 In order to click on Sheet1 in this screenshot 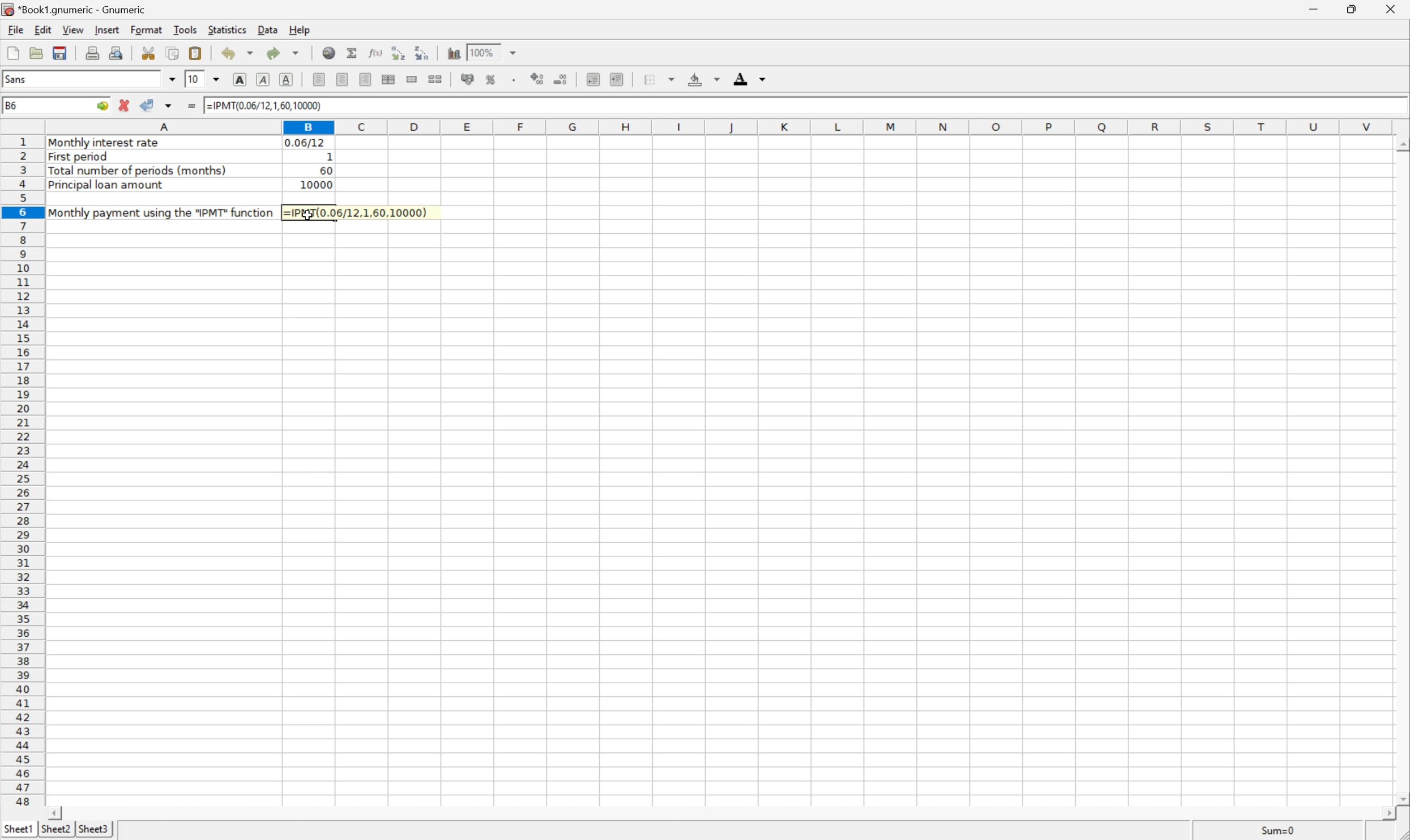, I will do `click(19, 829)`.